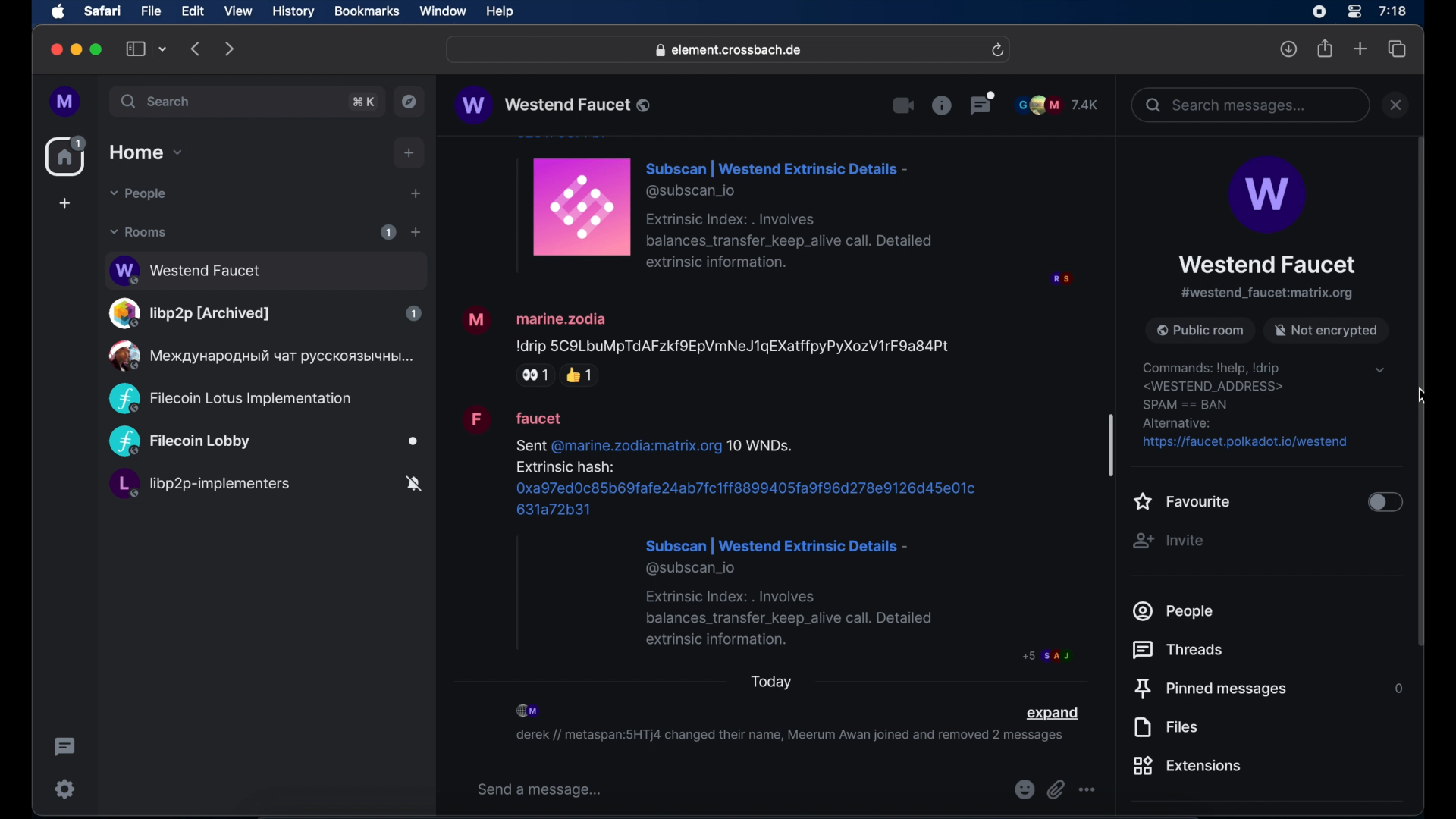  Describe the element at coordinates (443, 11) in the screenshot. I see `window` at that location.